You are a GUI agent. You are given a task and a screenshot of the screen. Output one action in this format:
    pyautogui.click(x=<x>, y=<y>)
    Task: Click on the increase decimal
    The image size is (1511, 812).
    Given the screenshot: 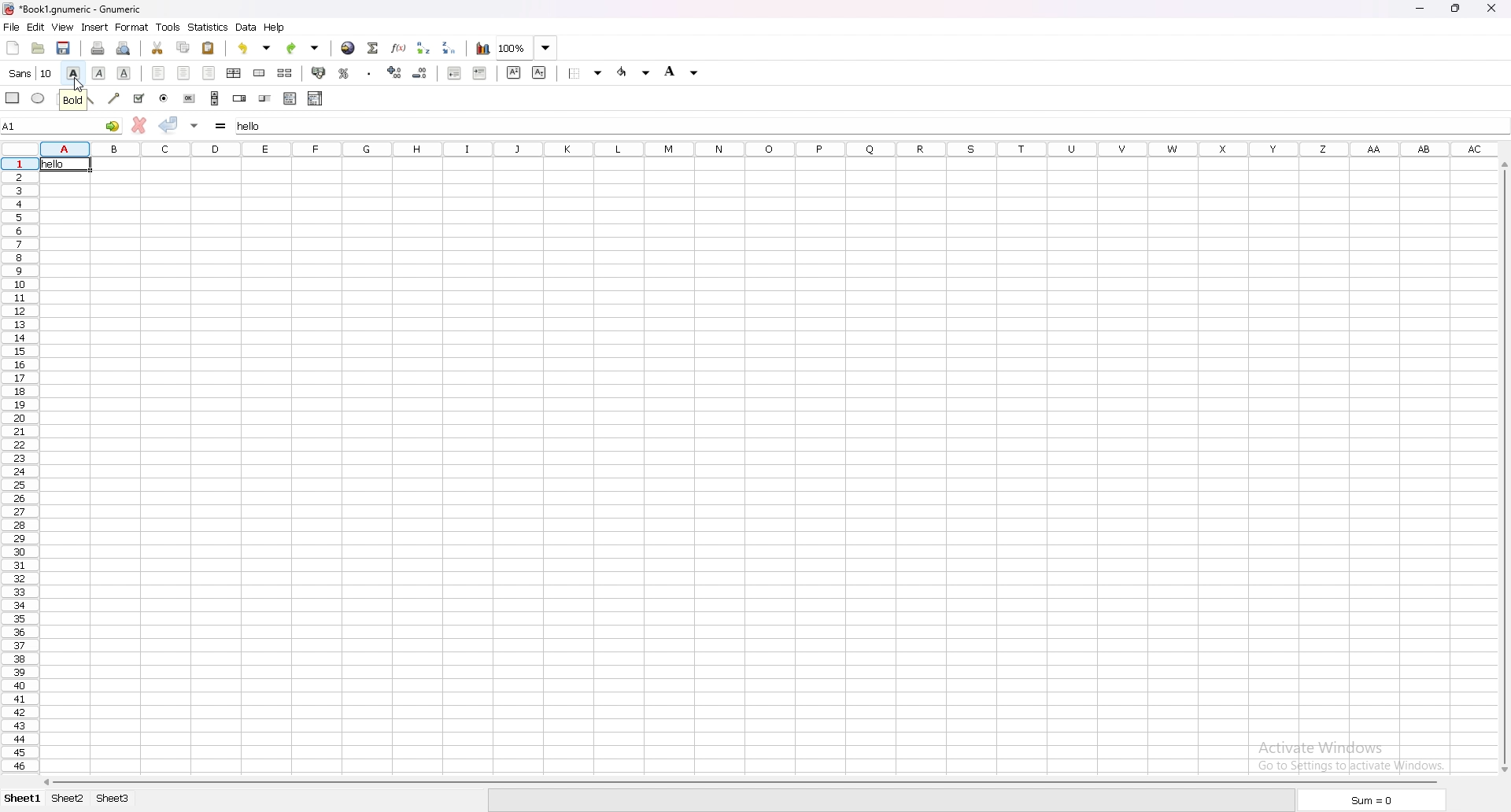 What is the action you would take?
    pyautogui.click(x=395, y=72)
    